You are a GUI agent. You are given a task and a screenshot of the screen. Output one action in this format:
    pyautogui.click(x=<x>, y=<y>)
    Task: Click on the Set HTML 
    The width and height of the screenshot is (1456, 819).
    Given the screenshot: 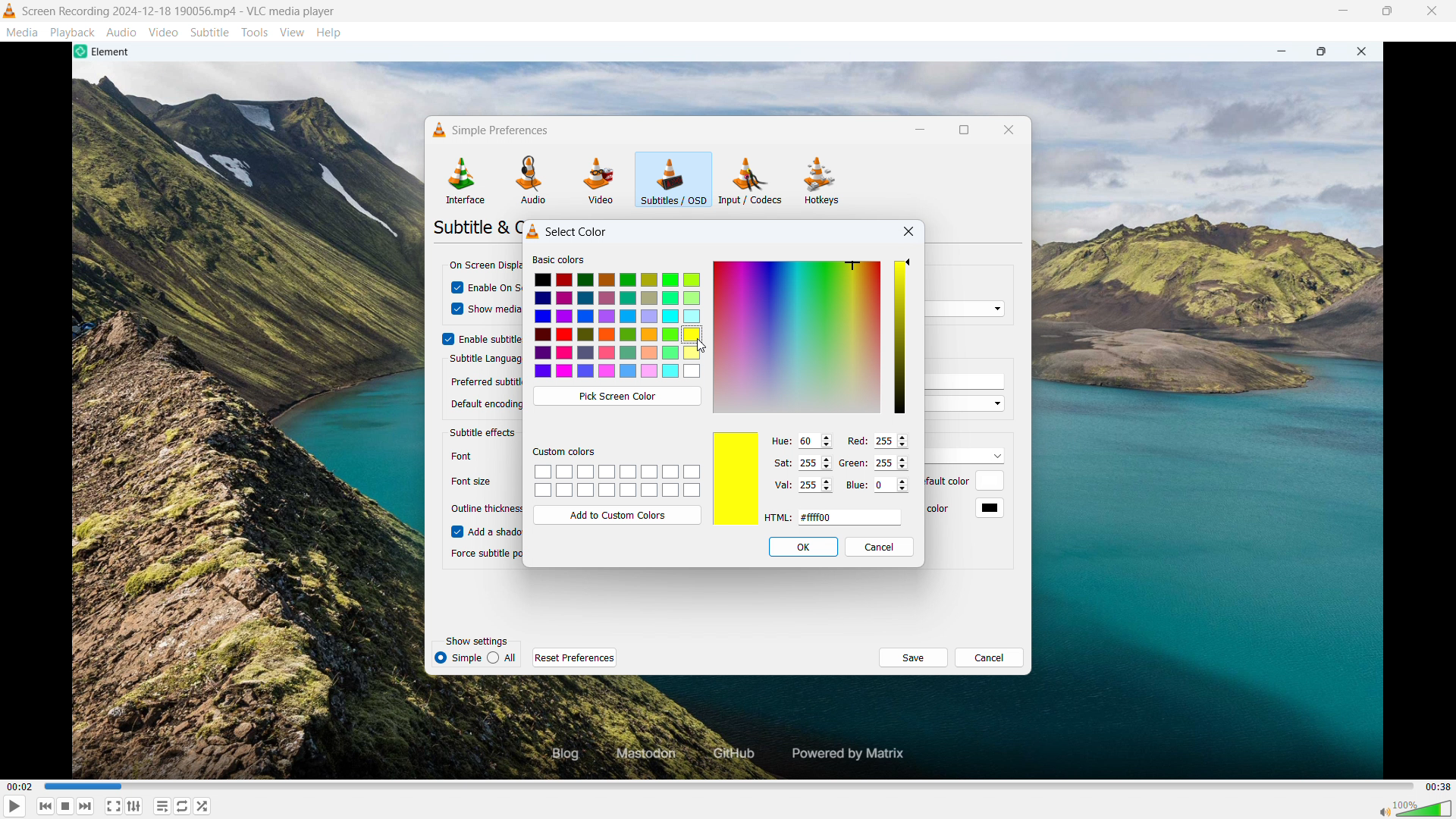 What is the action you would take?
    pyautogui.click(x=850, y=517)
    